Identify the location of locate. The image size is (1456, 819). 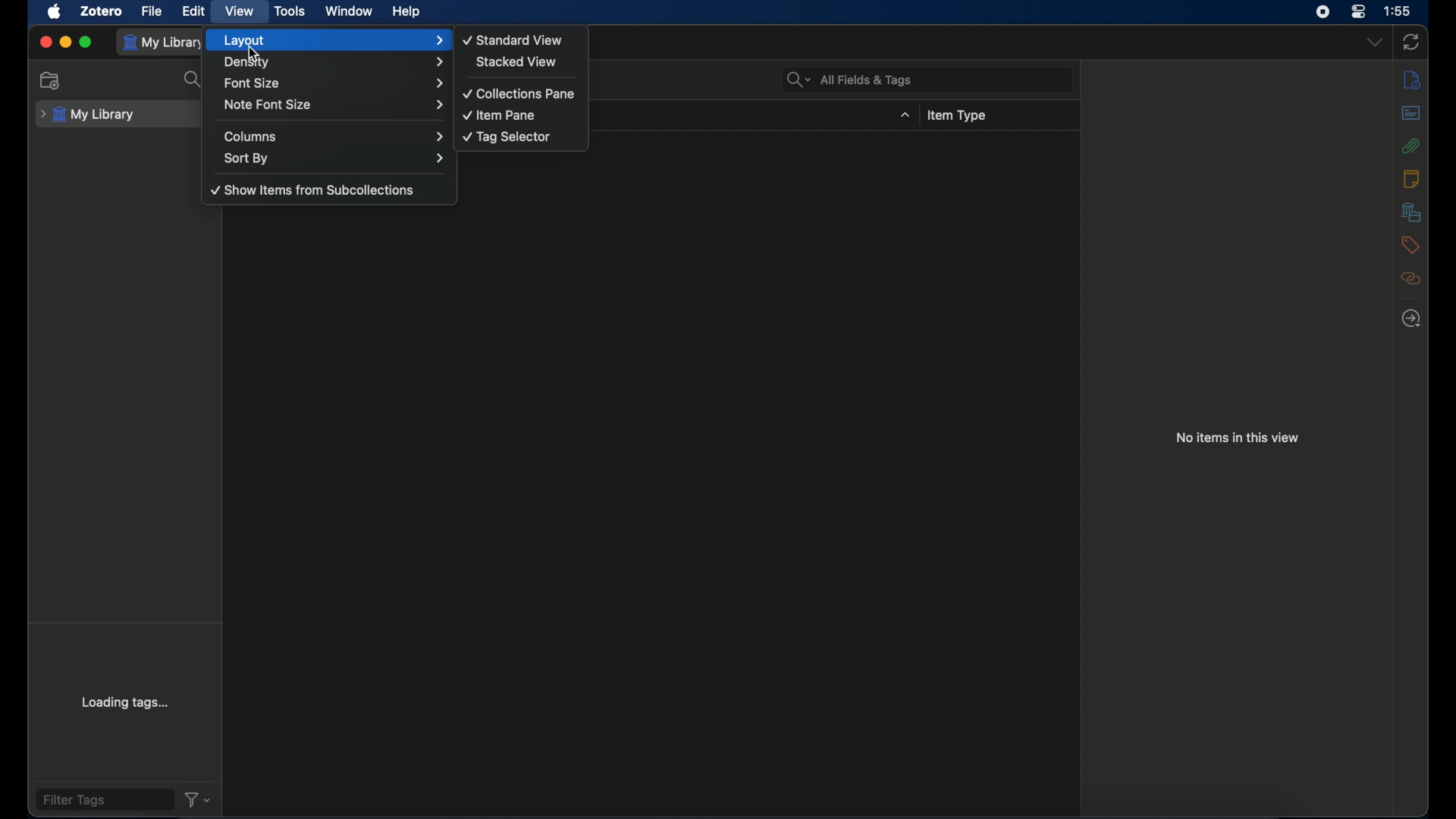
(1414, 318).